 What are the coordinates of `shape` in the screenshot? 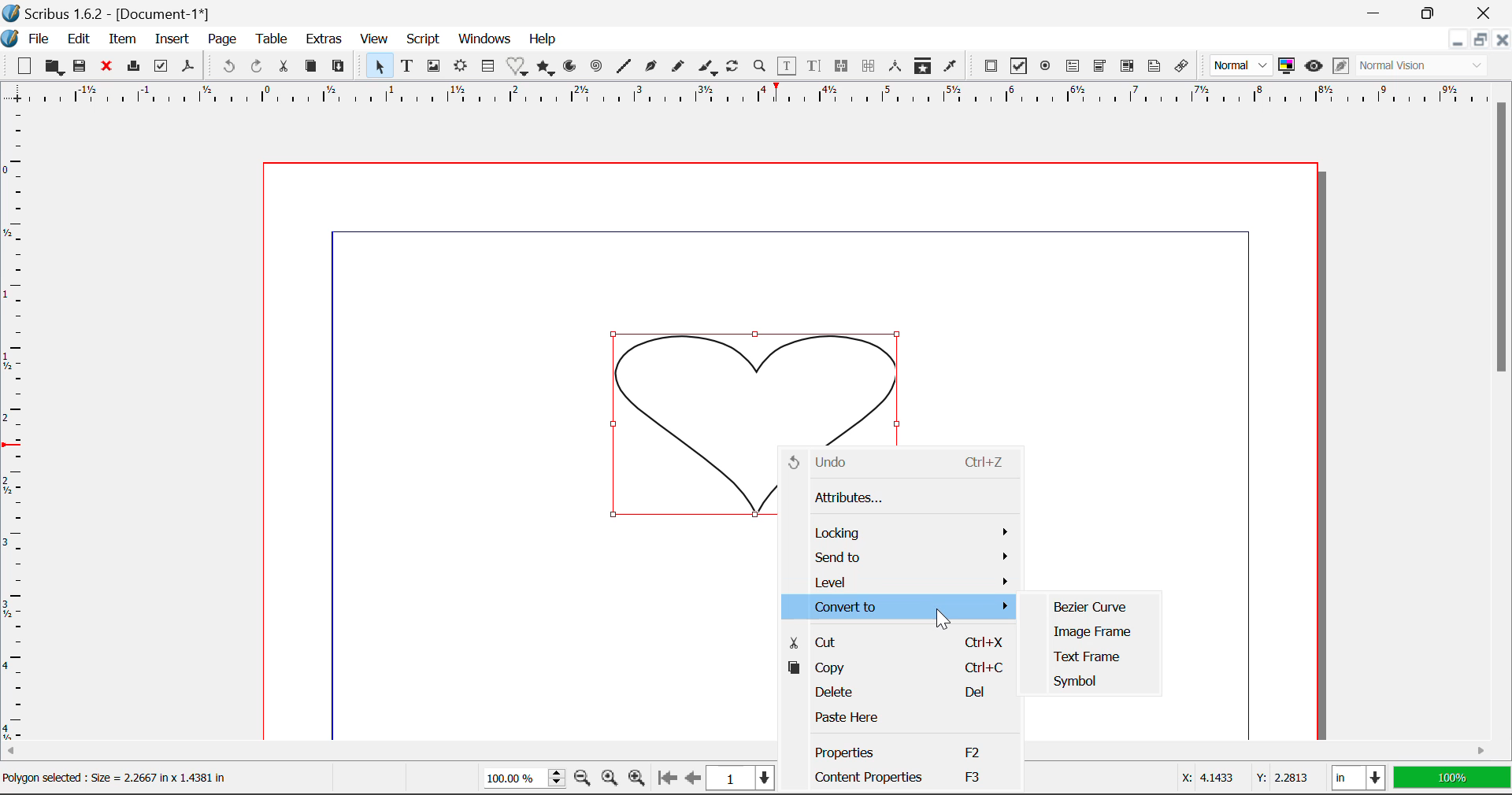 It's located at (756, 380).